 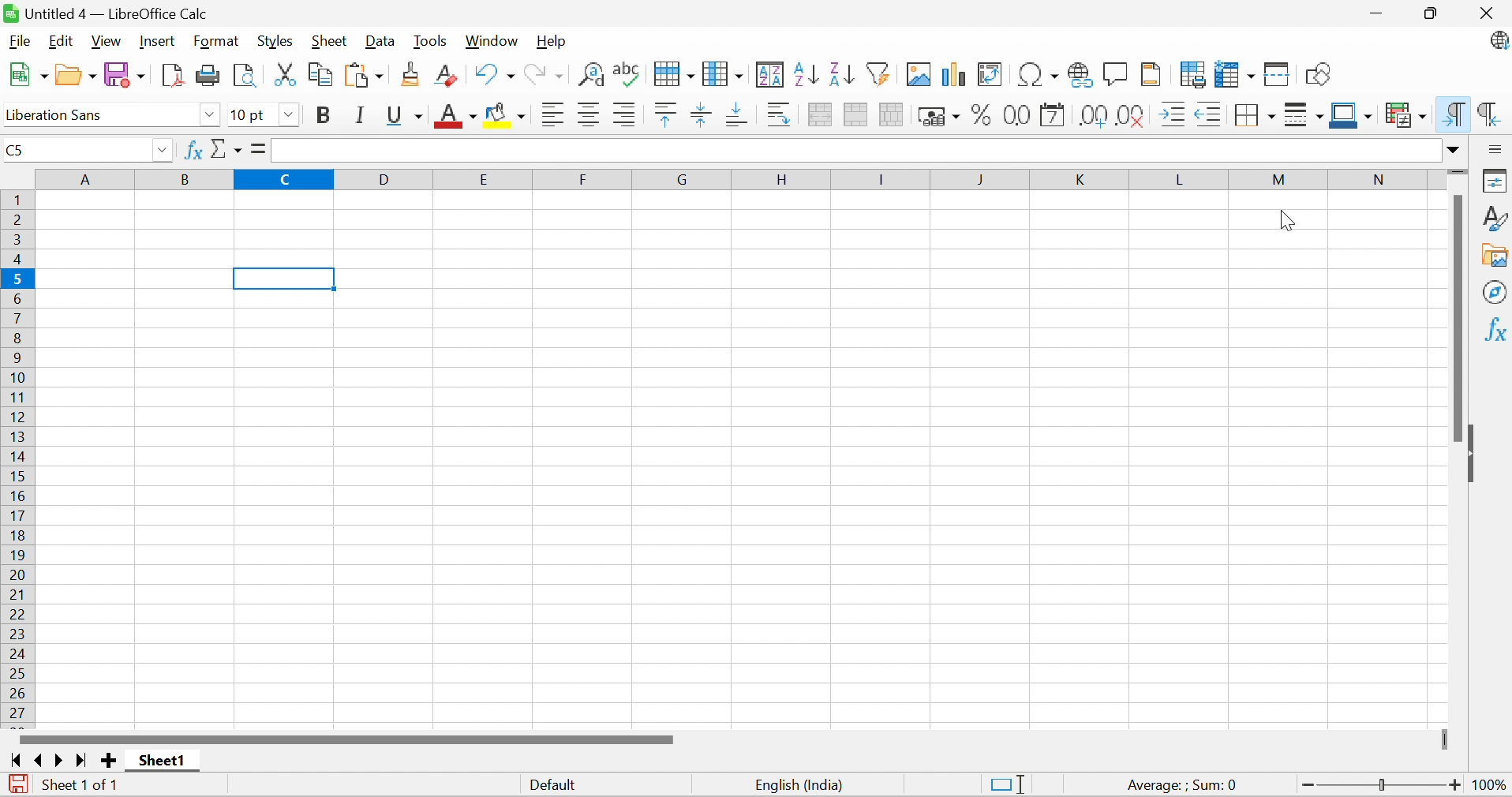 What do you see at coordinates (1077, 75) in the screenshot?
I see `Insert hyperlink` at bounding box center [1077, 75].